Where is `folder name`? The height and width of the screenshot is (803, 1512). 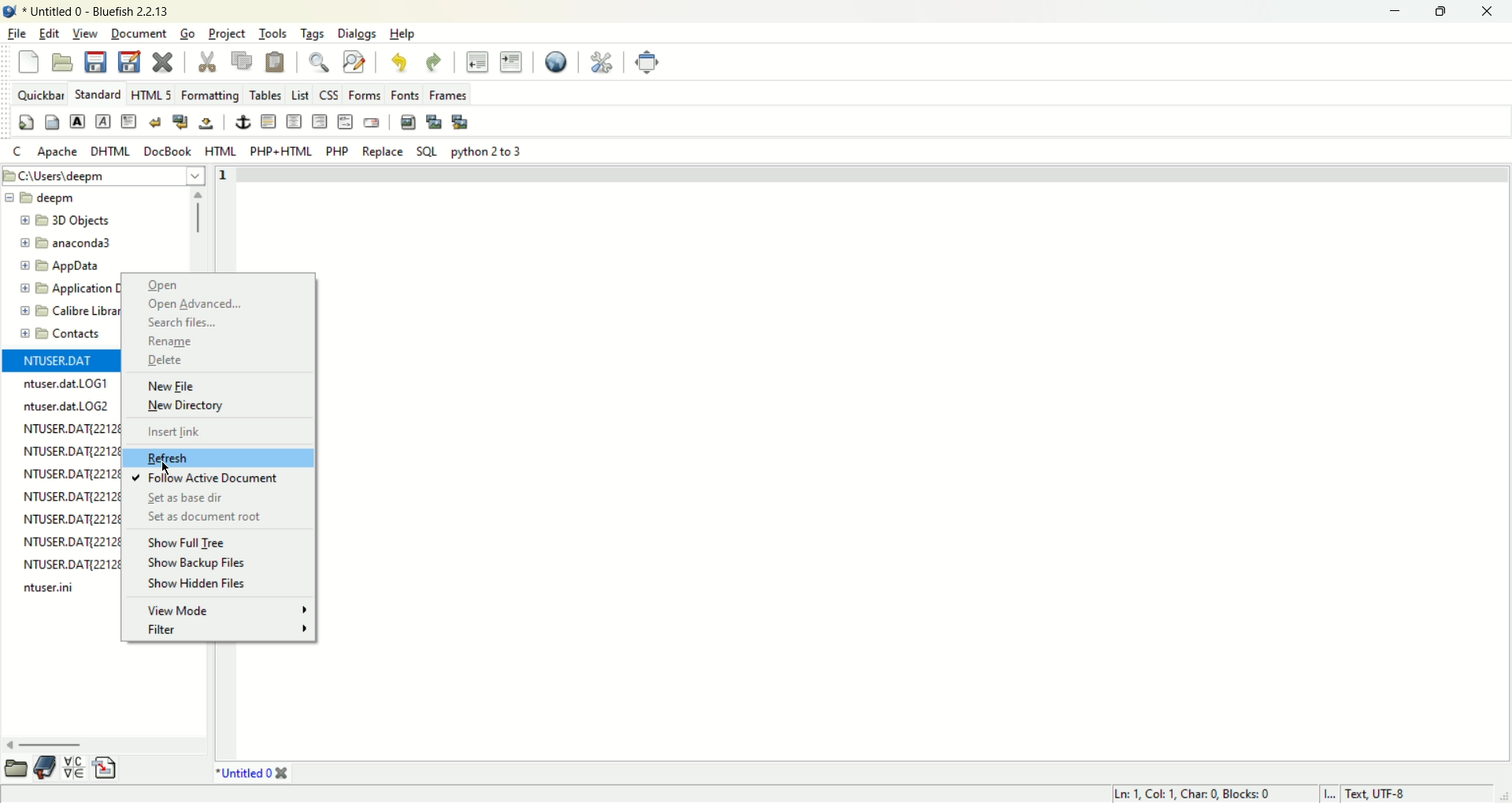
folder name is located at coordinates (86, 244).